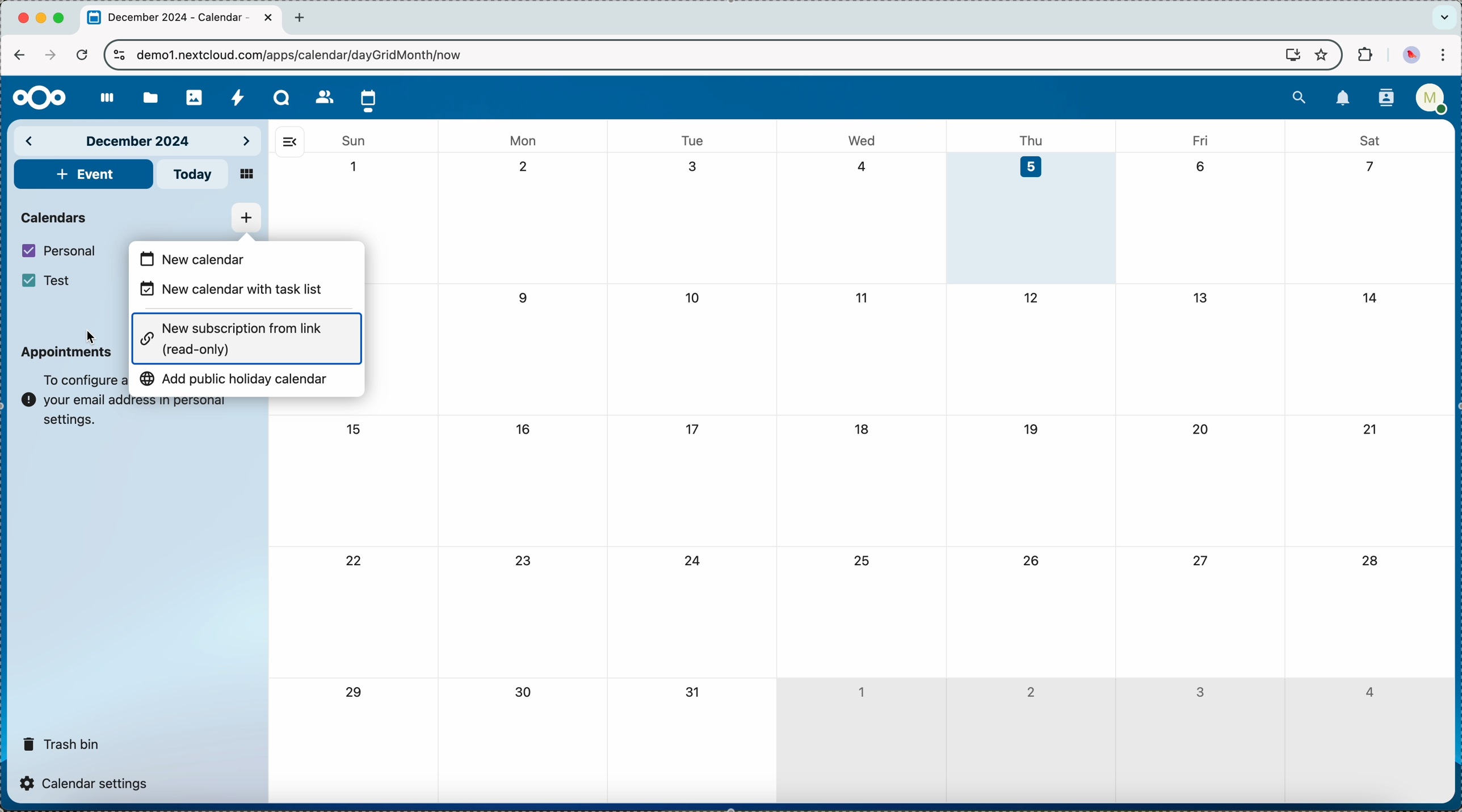 This screenshot has width=1462, height=812. Describe the element at coordinates (81, 54) in the screenshot. I see `refresh the page` at that location.